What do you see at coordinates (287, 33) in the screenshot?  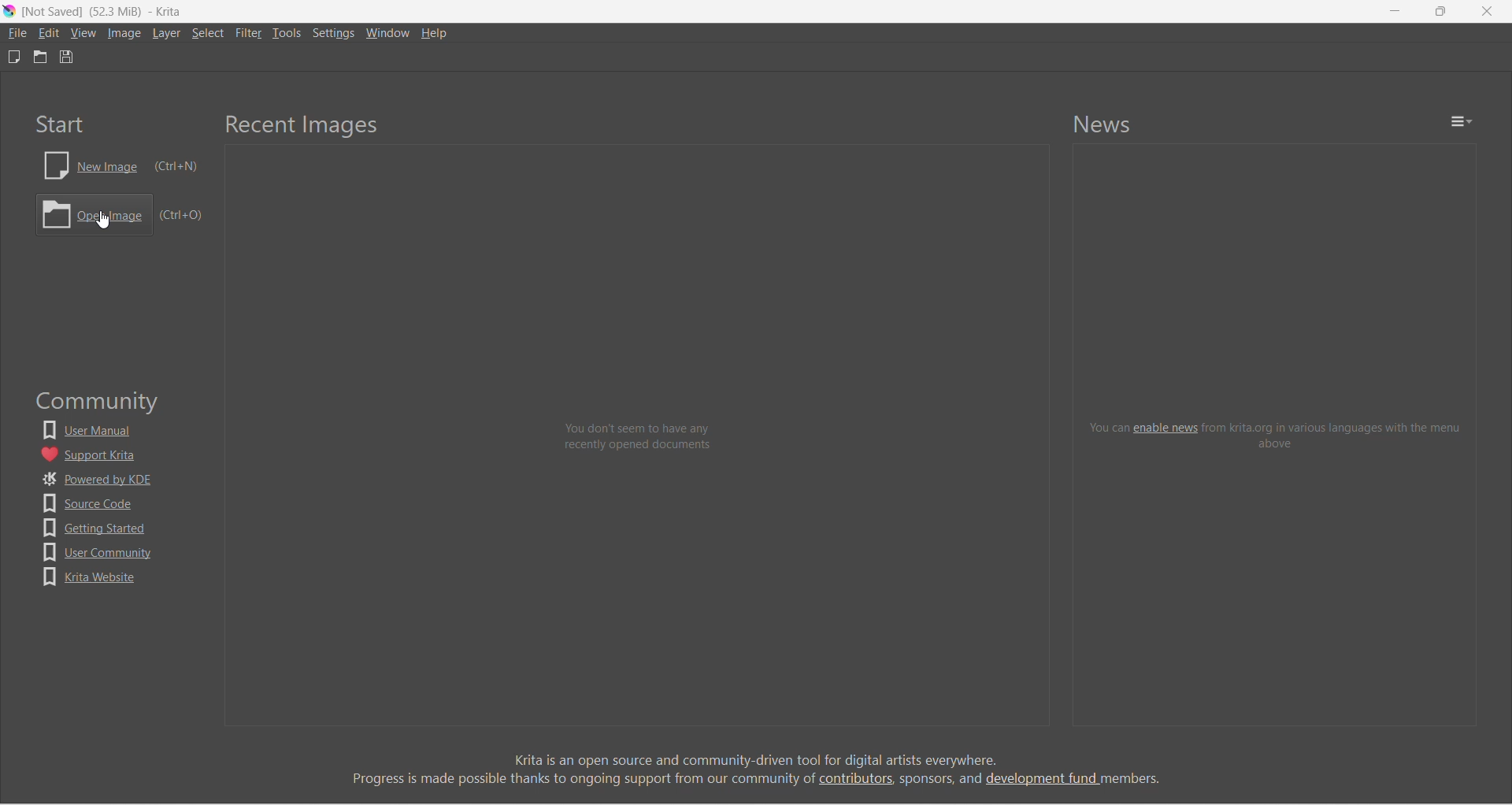 I see `tools` at bounding box center [287, 33].